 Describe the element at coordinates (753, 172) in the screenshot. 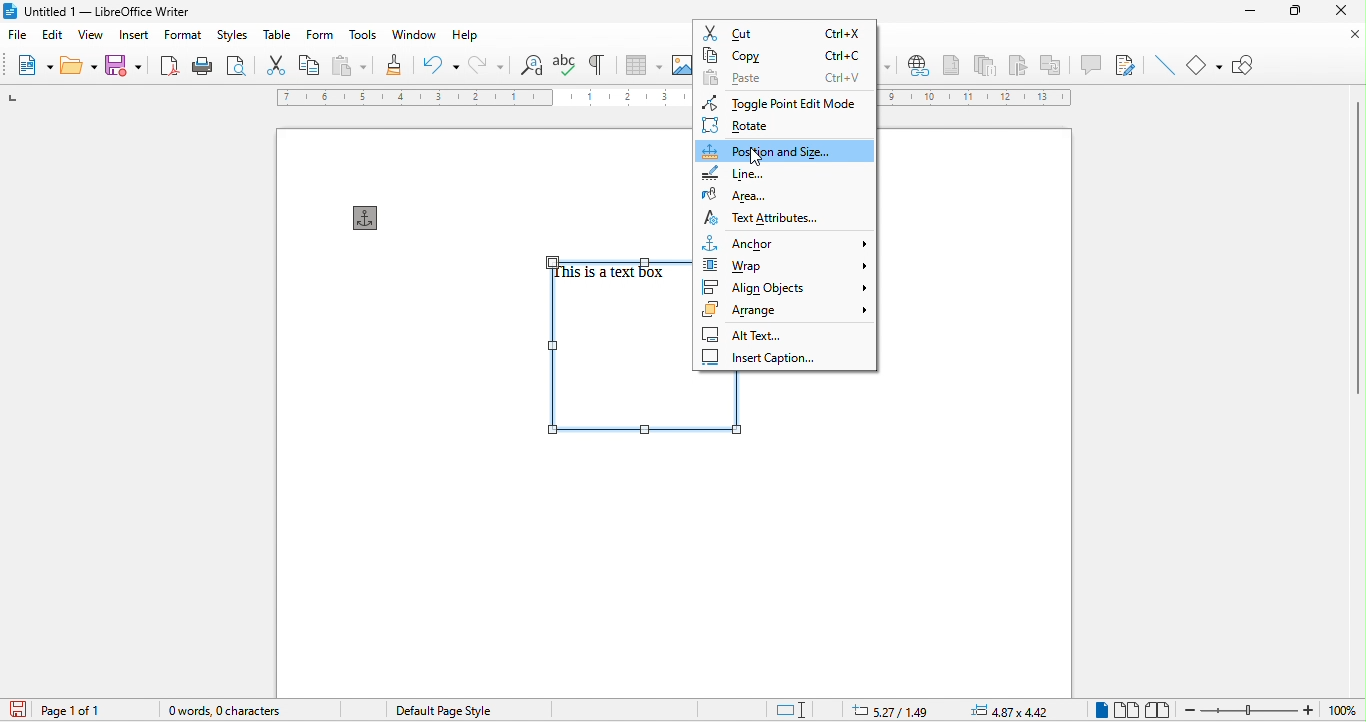

I see `line` at that location.